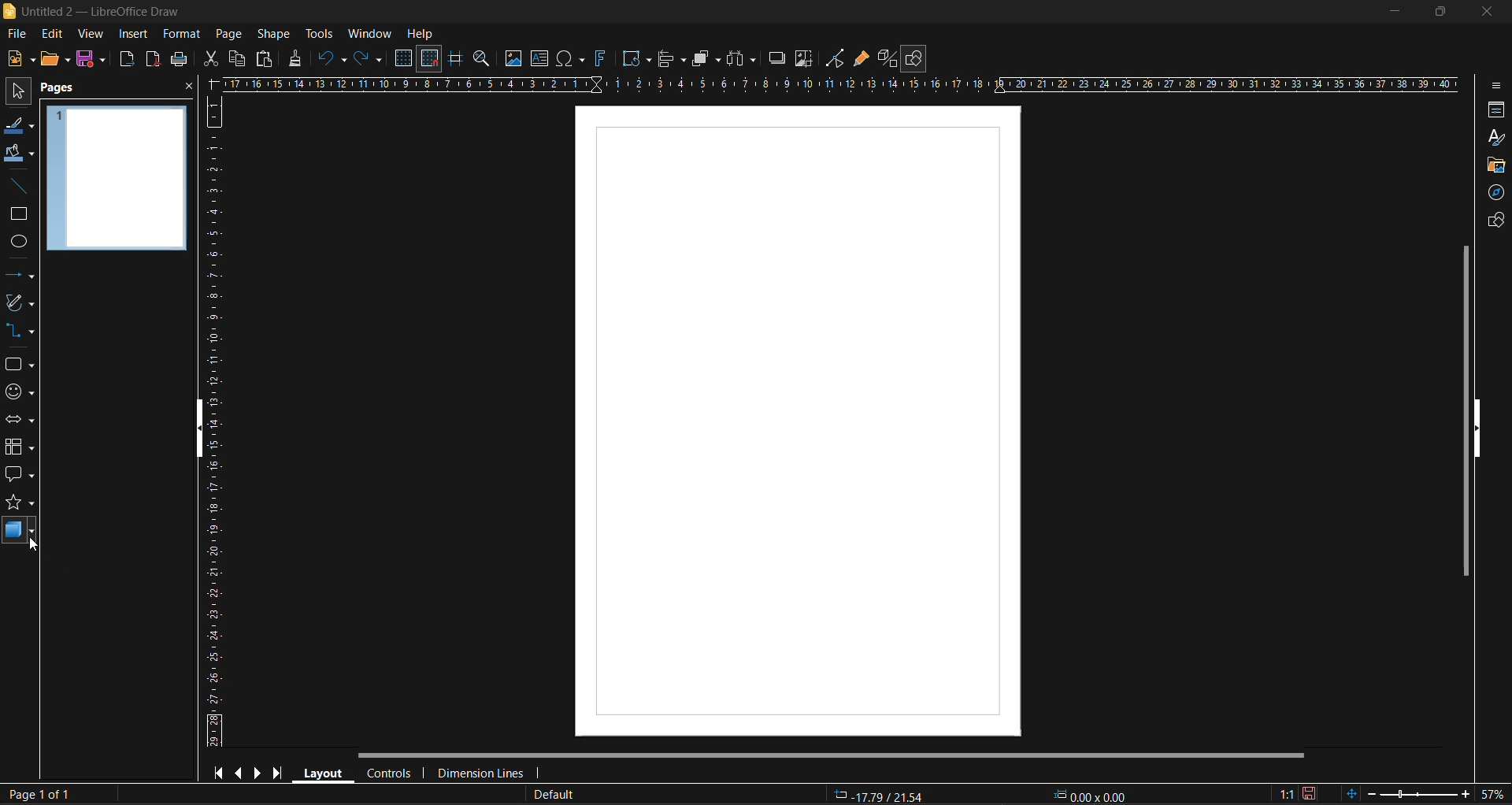 This screenshot has height=805, width=1512. Describe the element at coordinates (277, 33) in the screenshot. I see `shape` at that location.